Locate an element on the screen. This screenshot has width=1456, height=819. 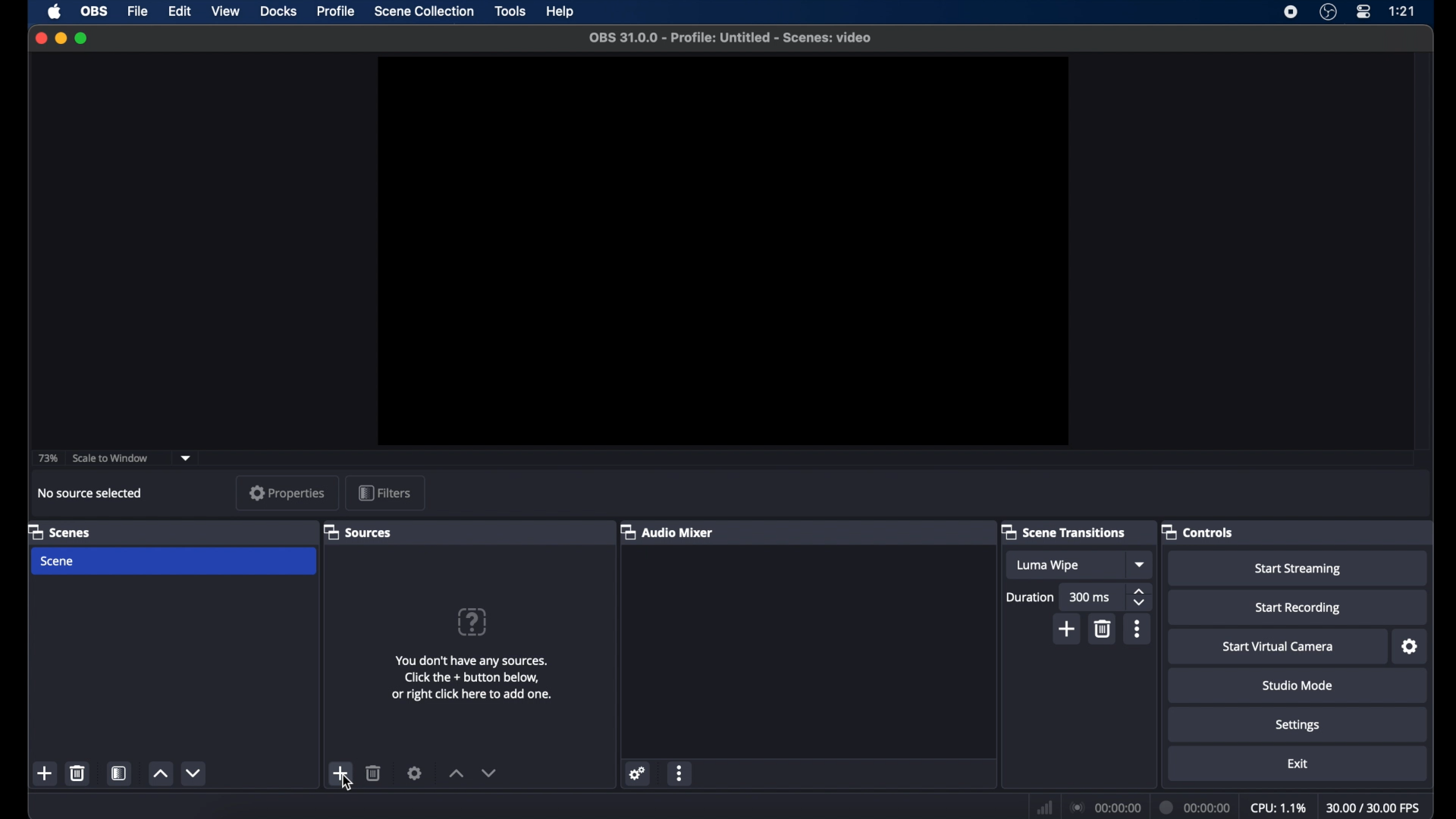
docks is located at coordinates (278, 11).